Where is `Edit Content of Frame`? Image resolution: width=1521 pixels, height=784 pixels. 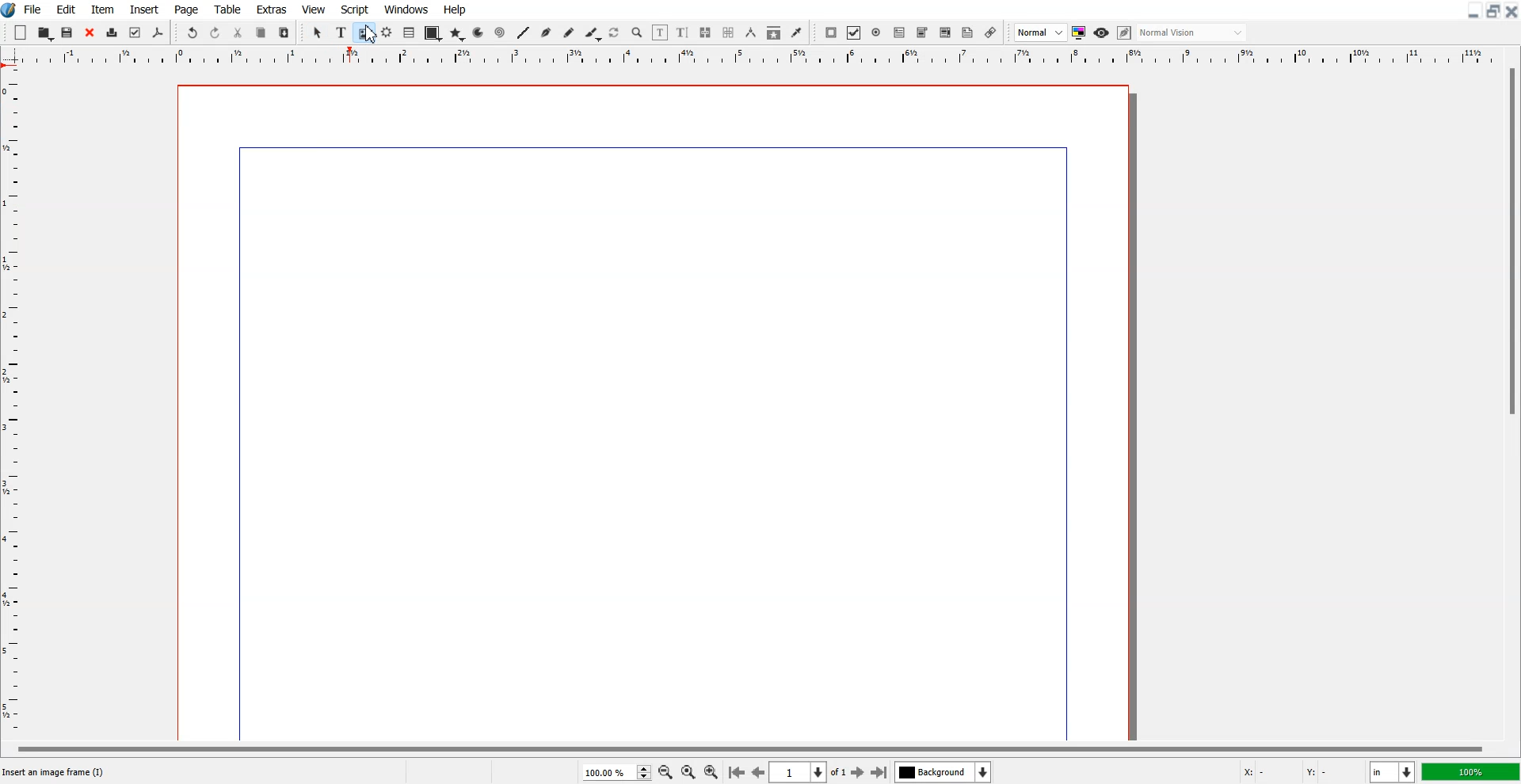 Edit Content of Frame is located at coordinates (661, 32).